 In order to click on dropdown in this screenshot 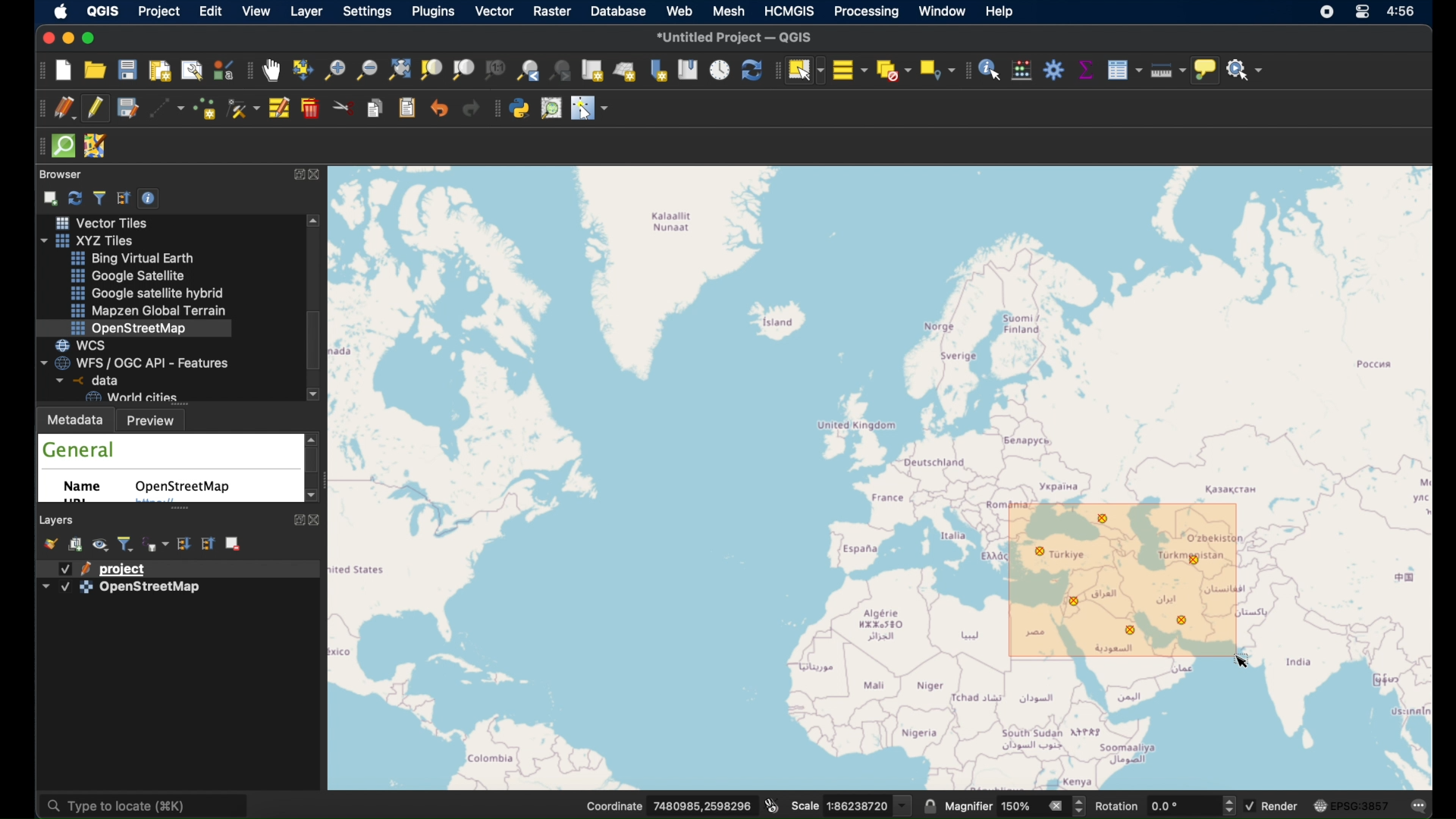, I will do `click(45, 585)`.